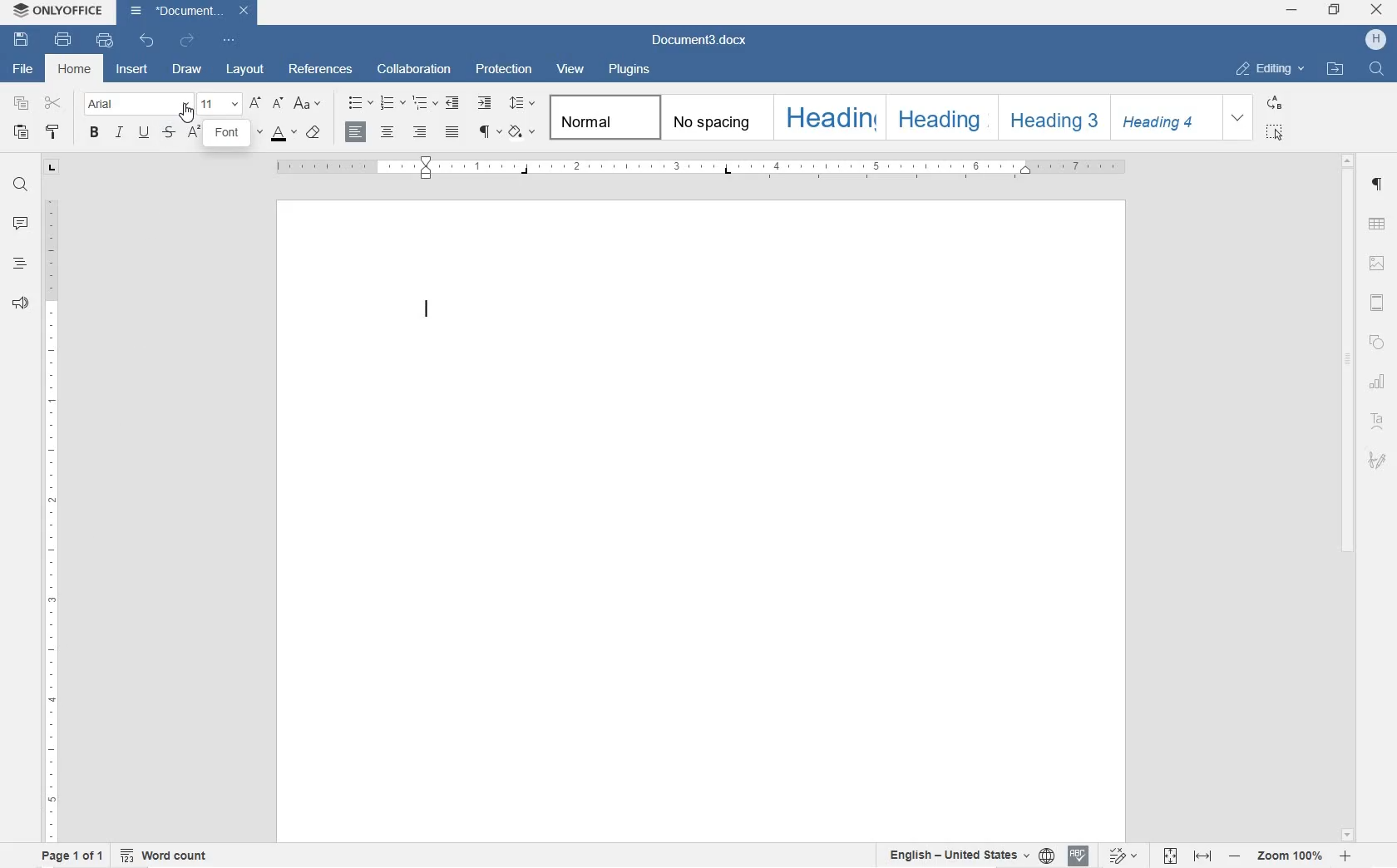 The image size is (1397, 868). I want to click on SUPERSCRIPT, so click(194, 134).